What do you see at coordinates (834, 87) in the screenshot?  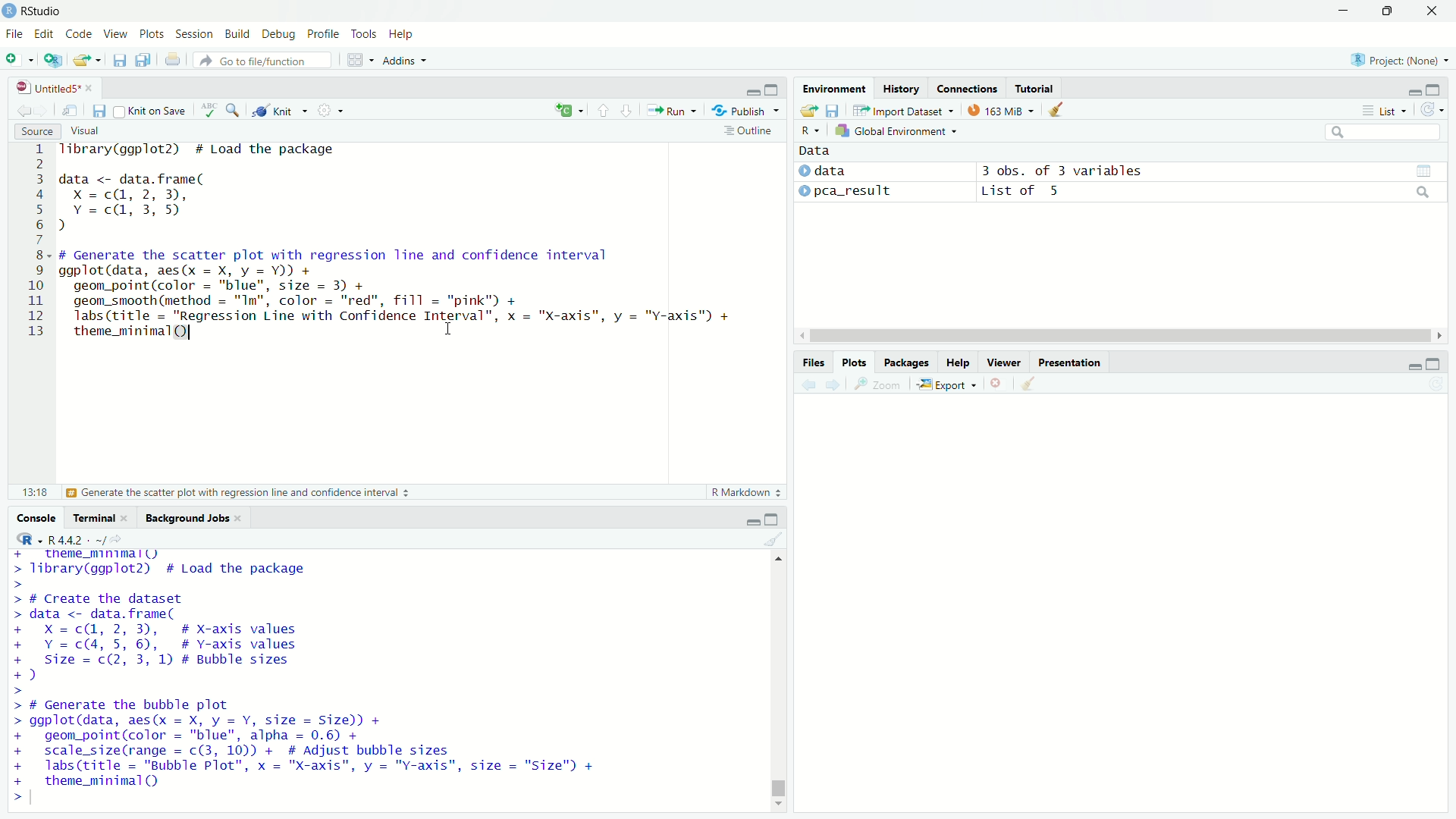 I see `Environment` at bounding box center [834, 87].